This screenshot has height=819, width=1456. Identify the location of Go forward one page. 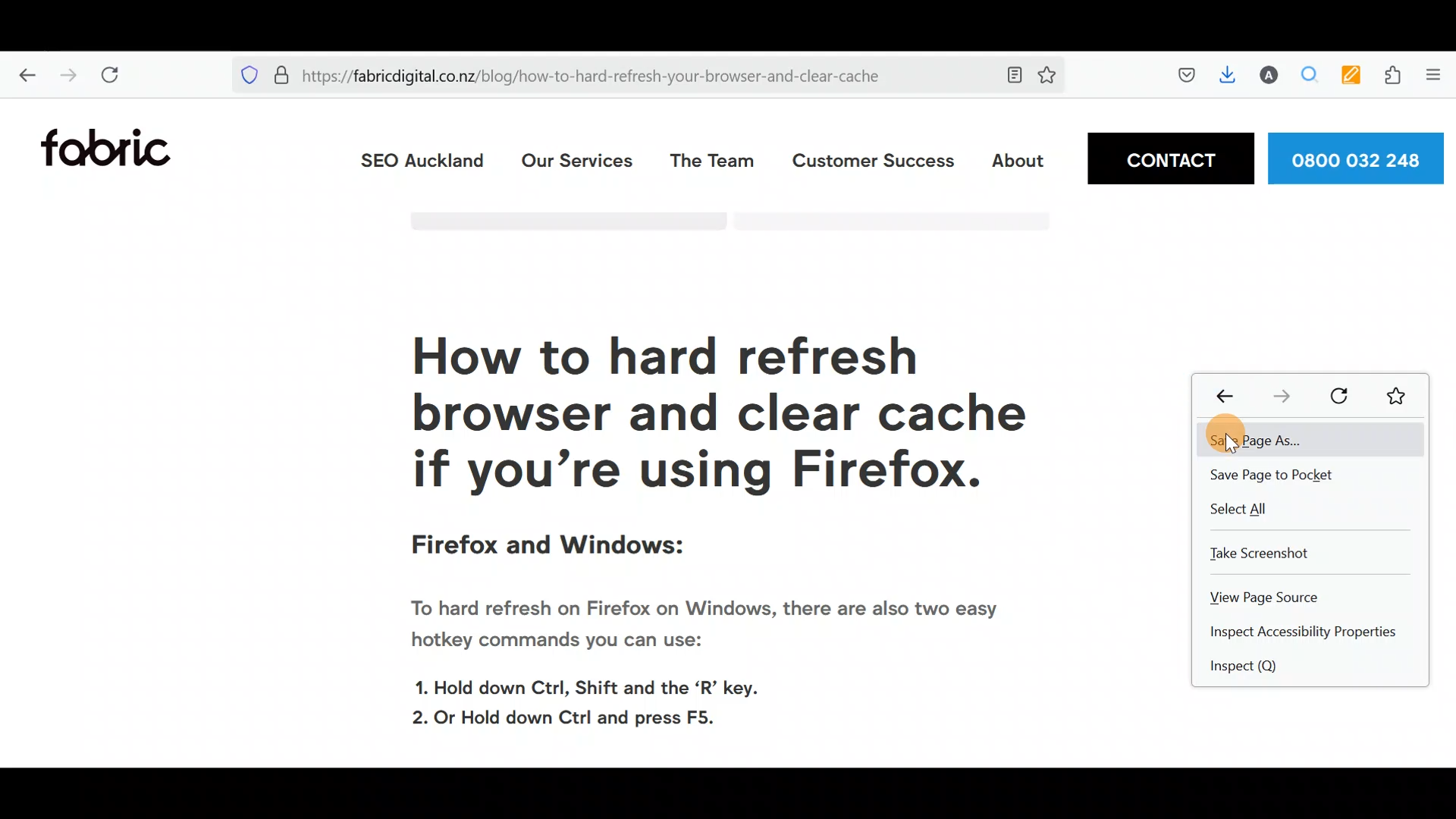
(1279, 397).